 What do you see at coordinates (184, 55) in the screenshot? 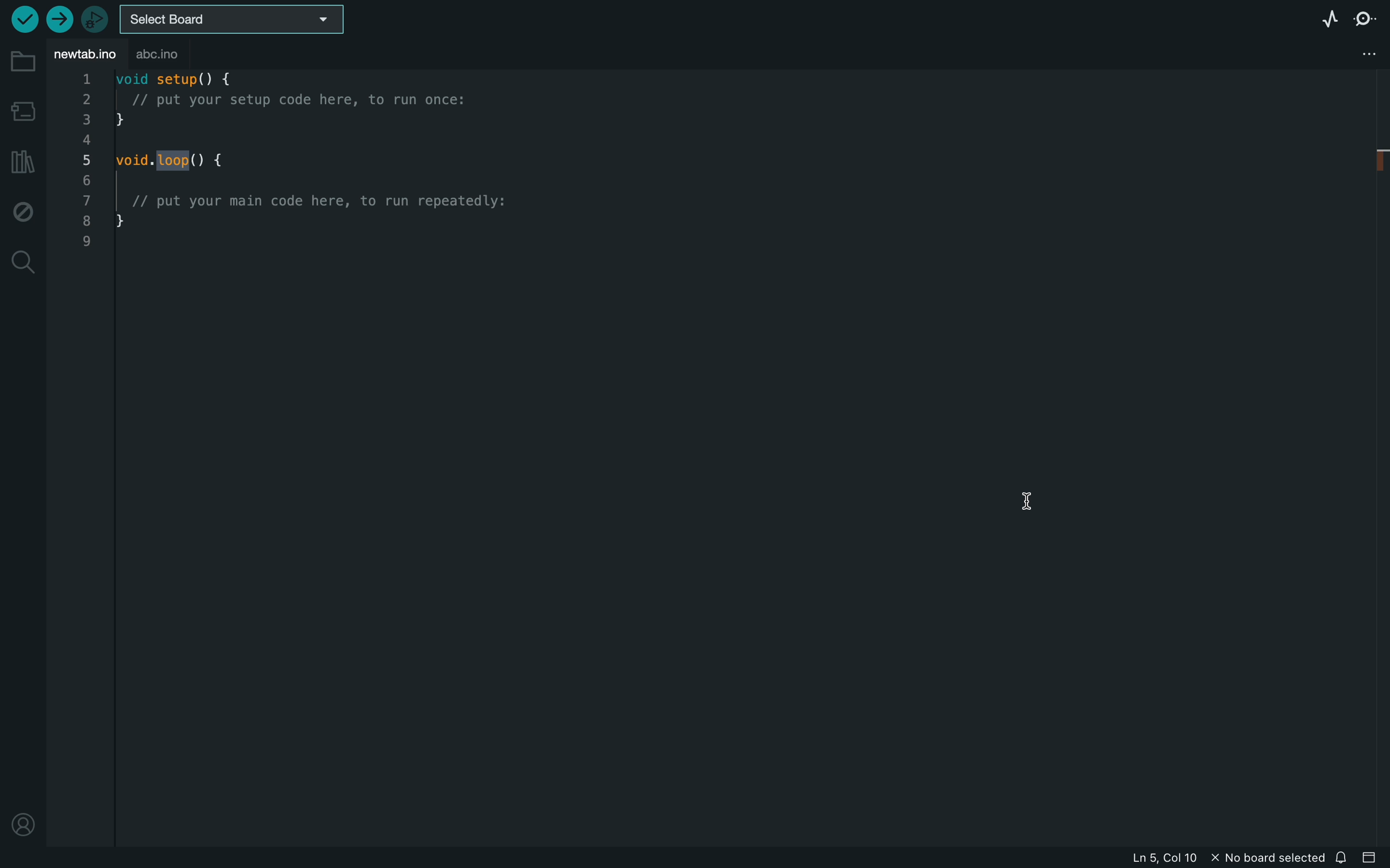
I see `abc` at bounding box center [184, 55].